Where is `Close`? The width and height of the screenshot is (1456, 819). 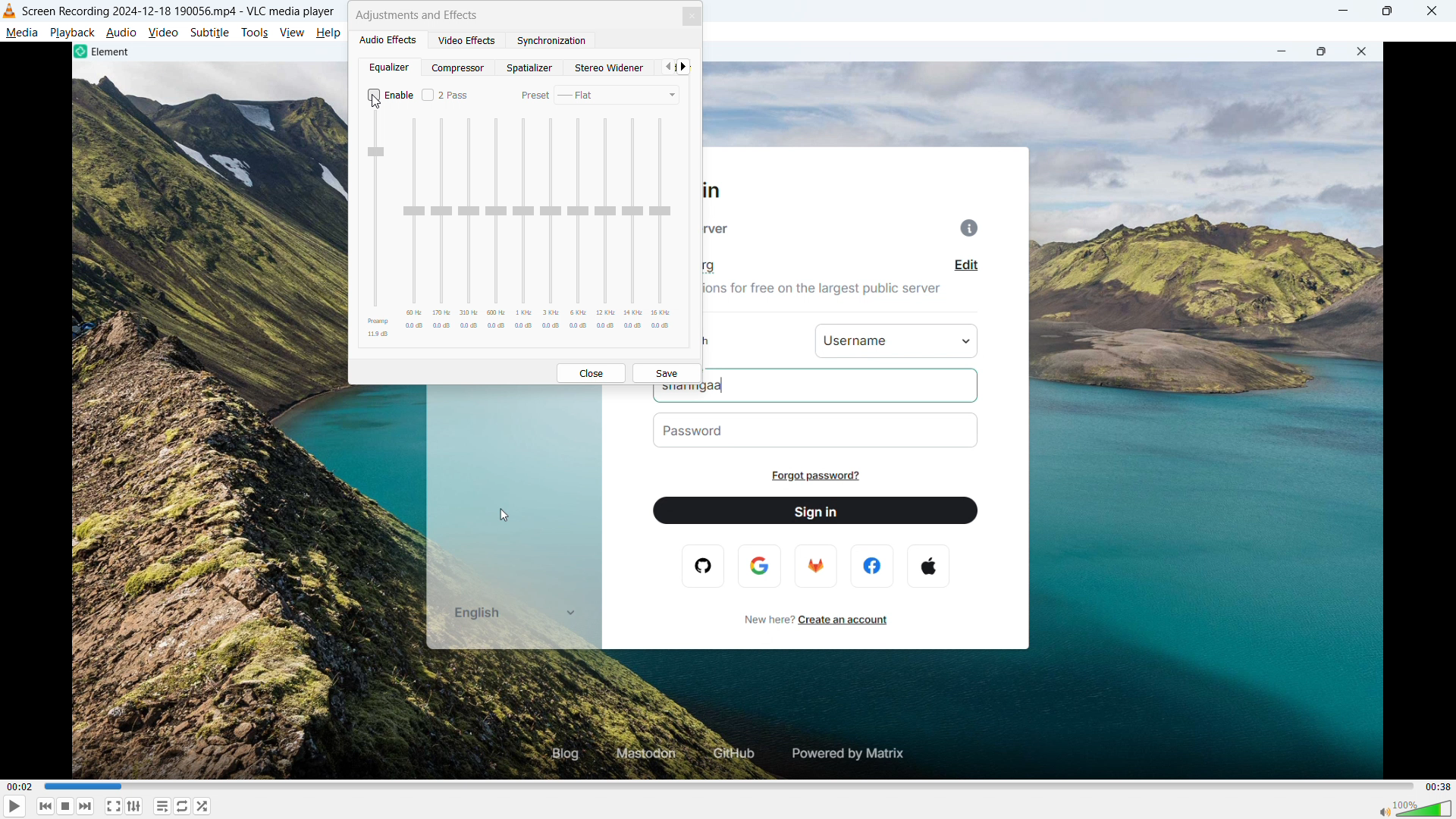
Close is located at coordinates (590, 372).